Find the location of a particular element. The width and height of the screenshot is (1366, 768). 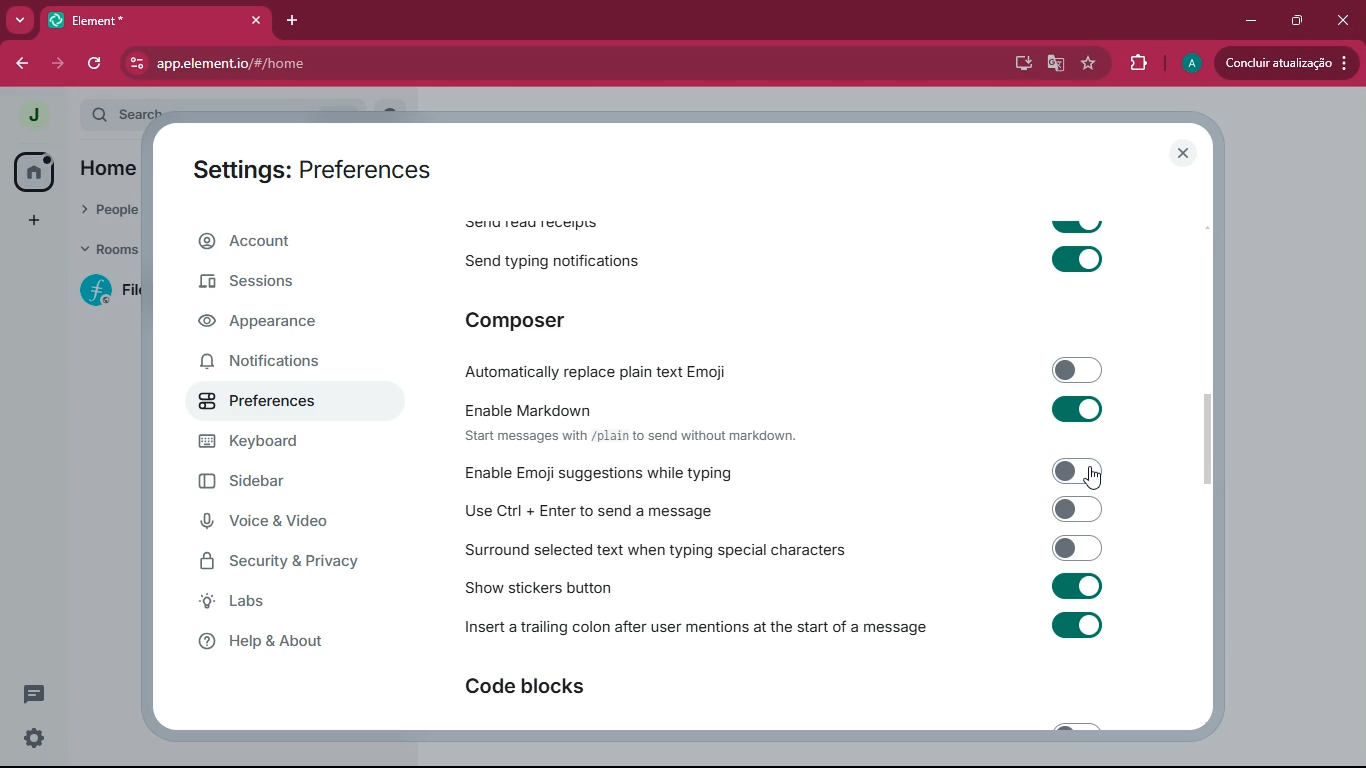

favourite is located at coordinates (1087, 63).